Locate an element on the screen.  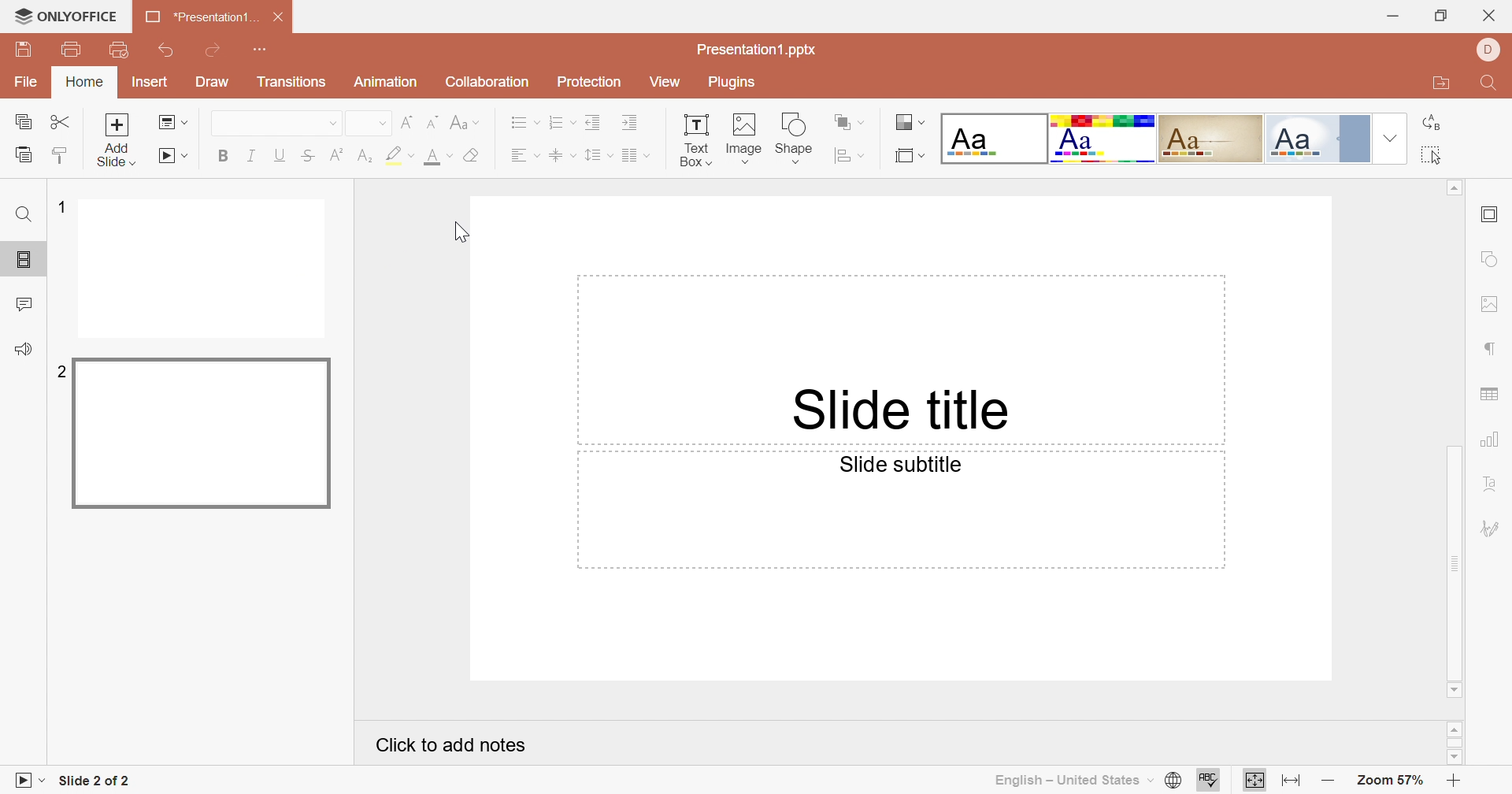
Draw is located at coordinates (213, 82).